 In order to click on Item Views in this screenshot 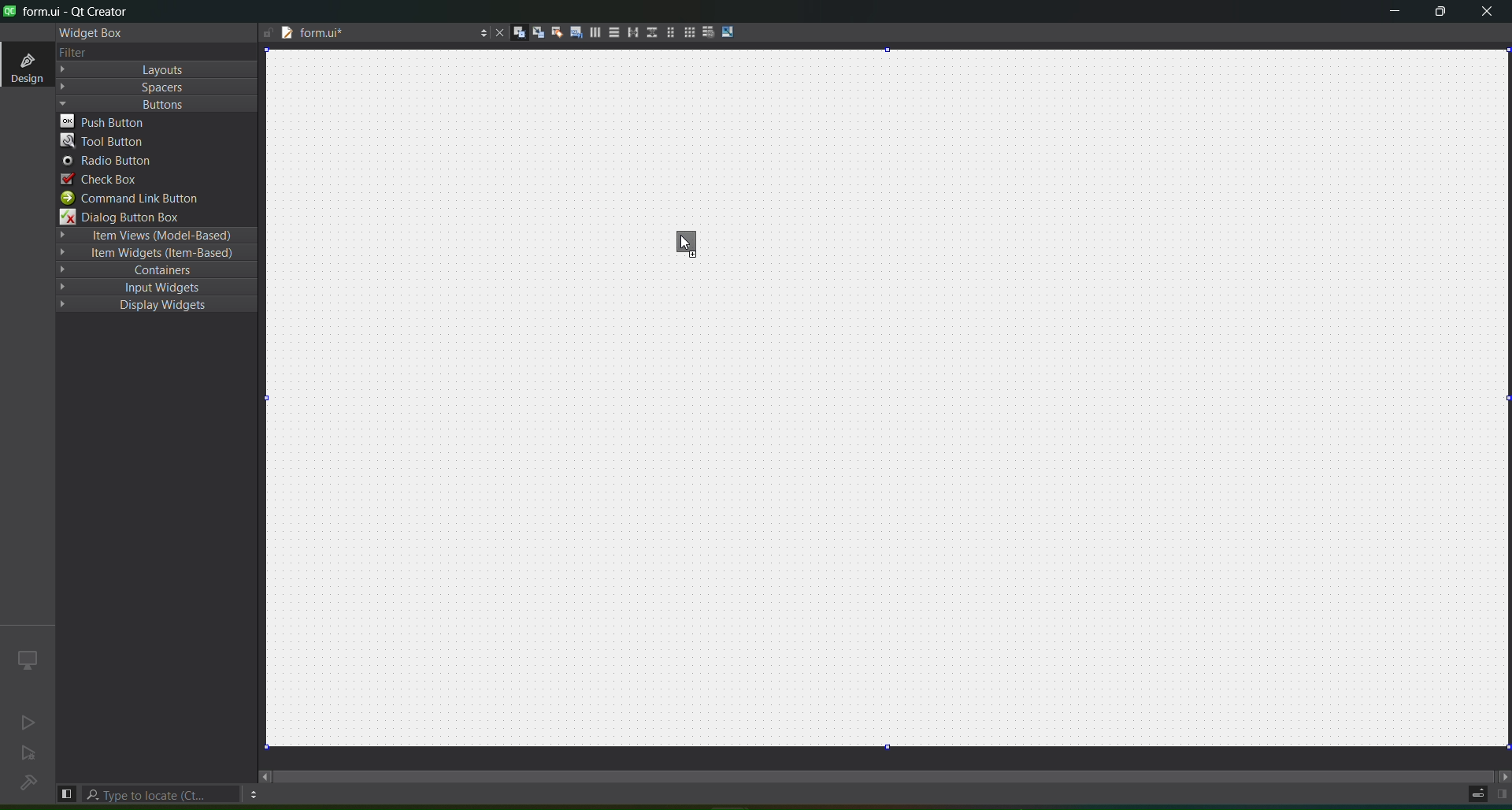, I will do `click(157, 235)`.